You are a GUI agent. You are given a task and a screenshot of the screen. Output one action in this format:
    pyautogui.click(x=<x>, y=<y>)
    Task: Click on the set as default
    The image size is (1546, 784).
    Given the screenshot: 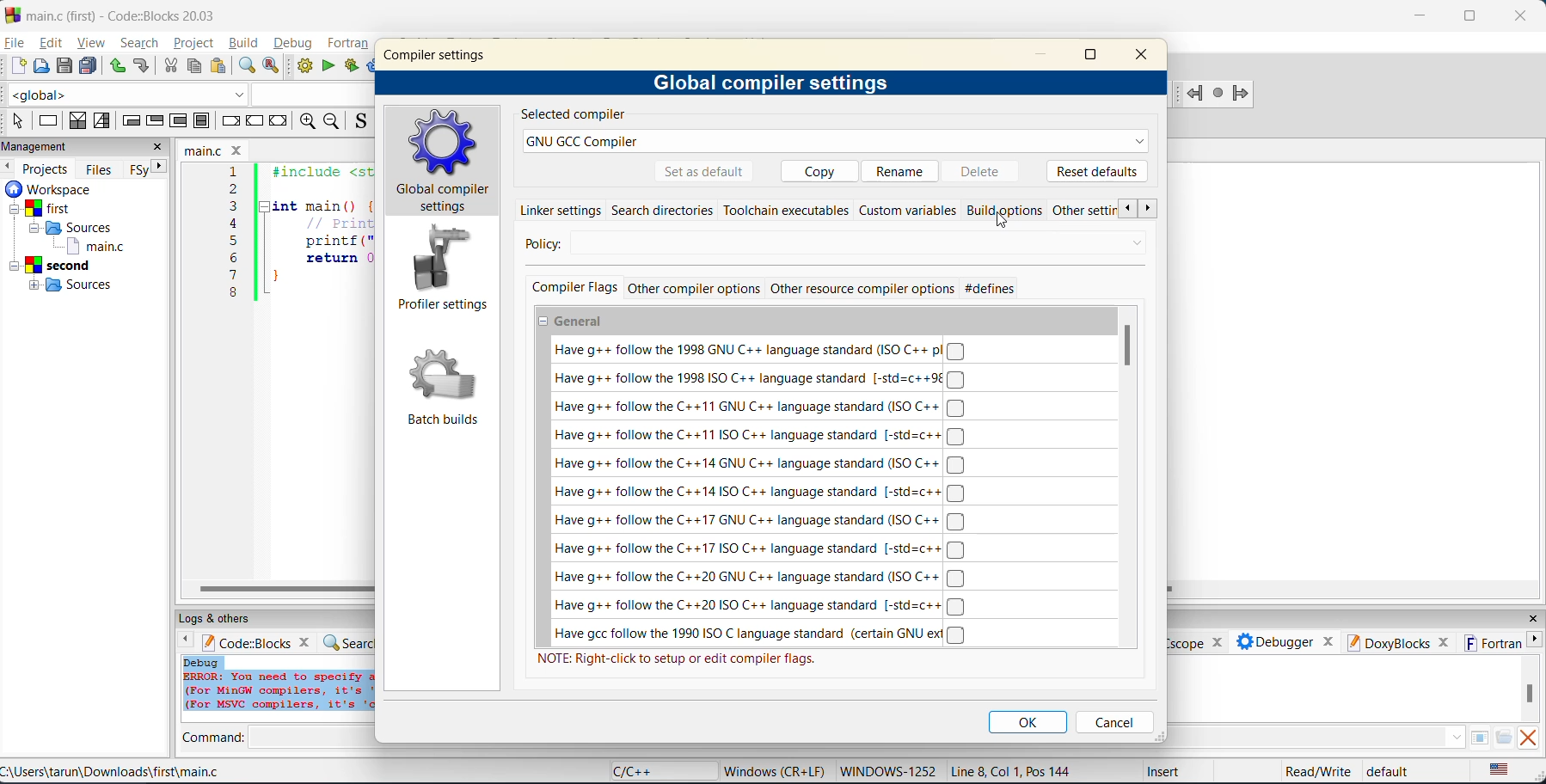 What is the action you would take?
    pyautogui.click(x=704, y=172)
    